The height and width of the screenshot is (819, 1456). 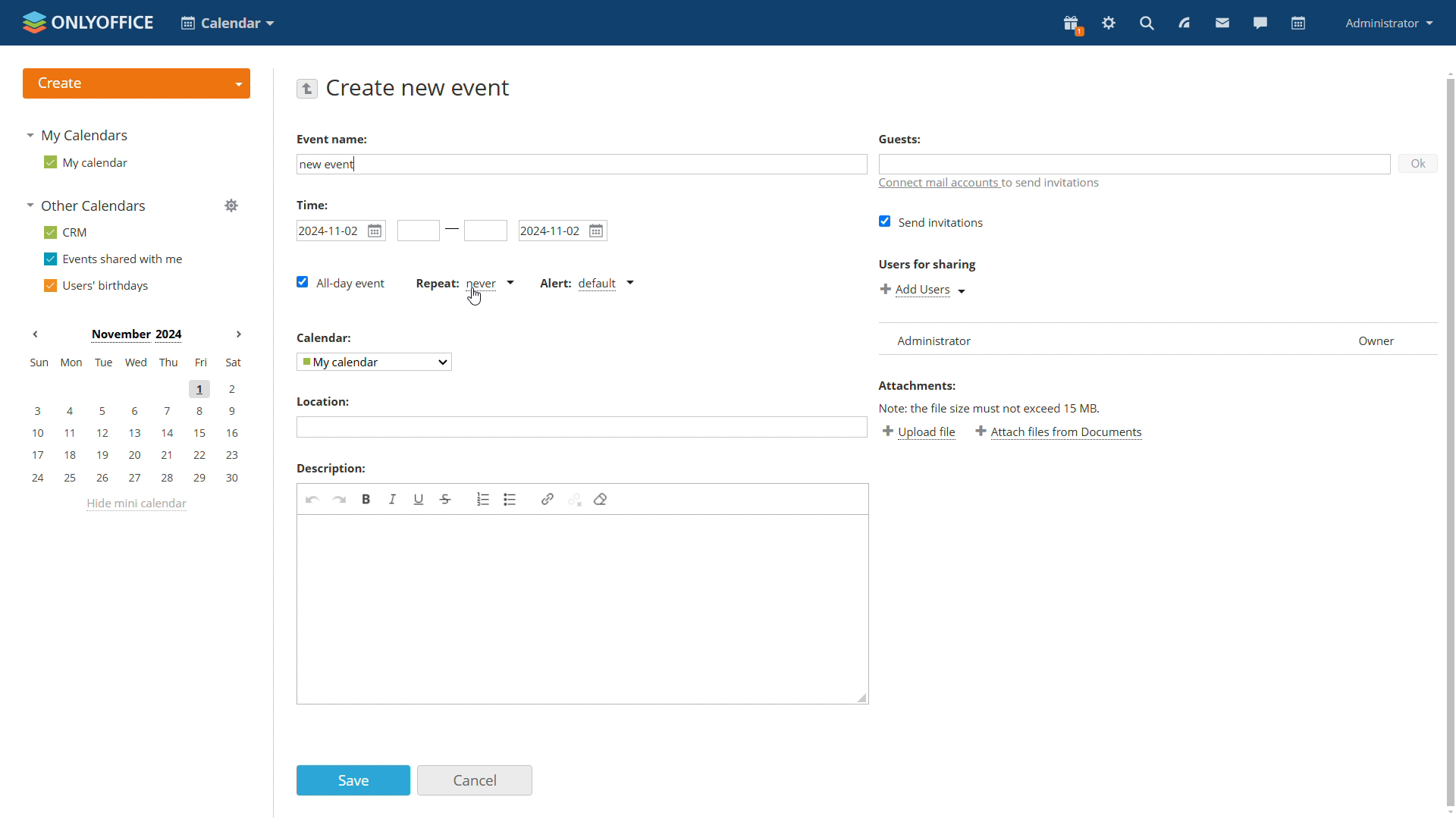 What do you see at coordinates (485, 231) in the screenshot?
I see `event end time` at bounding box center [485, 231].